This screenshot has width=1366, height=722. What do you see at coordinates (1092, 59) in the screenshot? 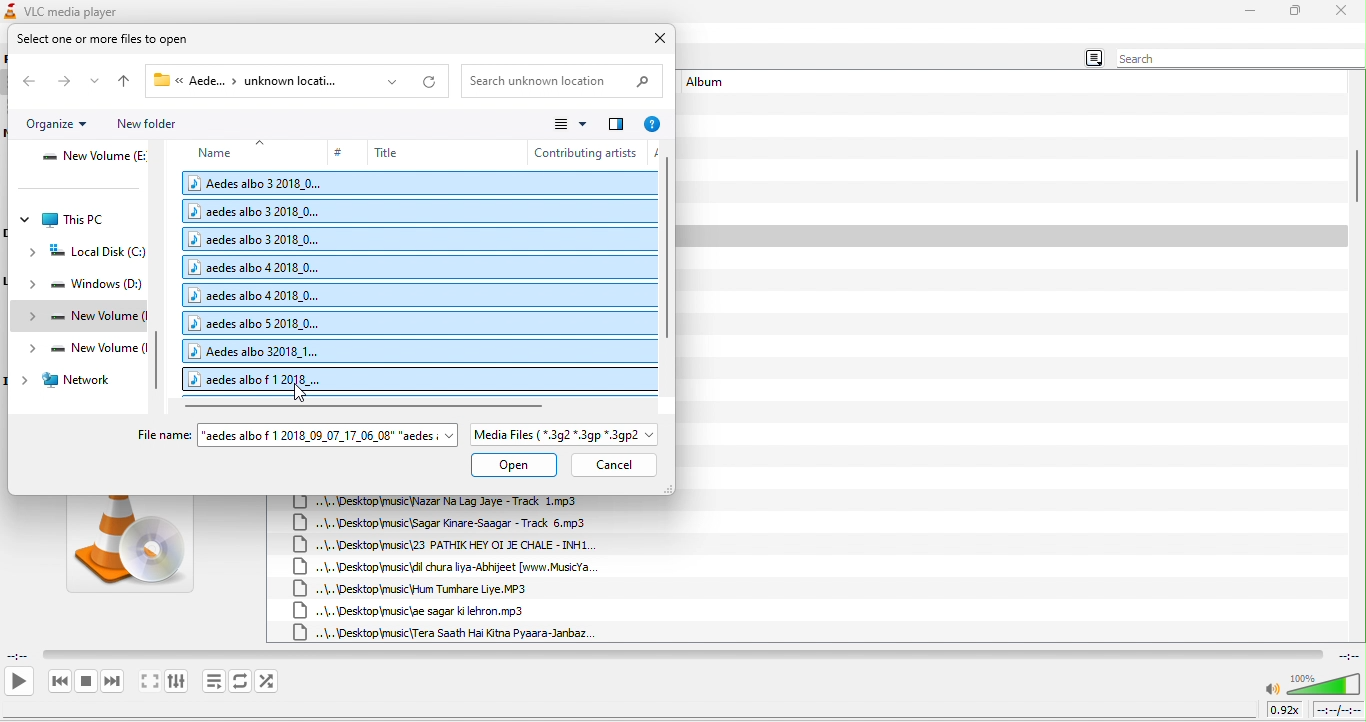
I see `menu` at bounding box center [1092, 59].